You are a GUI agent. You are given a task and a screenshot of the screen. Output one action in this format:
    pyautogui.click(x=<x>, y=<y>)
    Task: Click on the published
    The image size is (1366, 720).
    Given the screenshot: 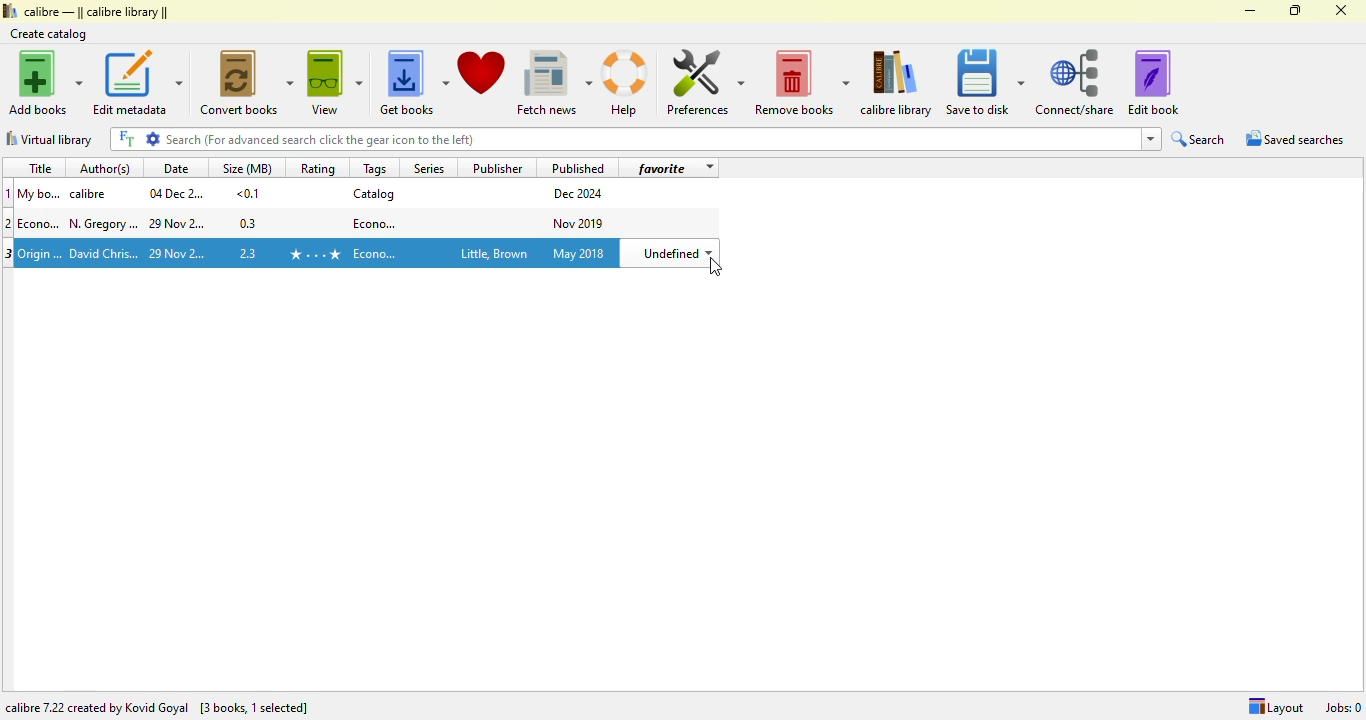 What is the action you would take?
    pyautogui.click(x=578, y=167)
    